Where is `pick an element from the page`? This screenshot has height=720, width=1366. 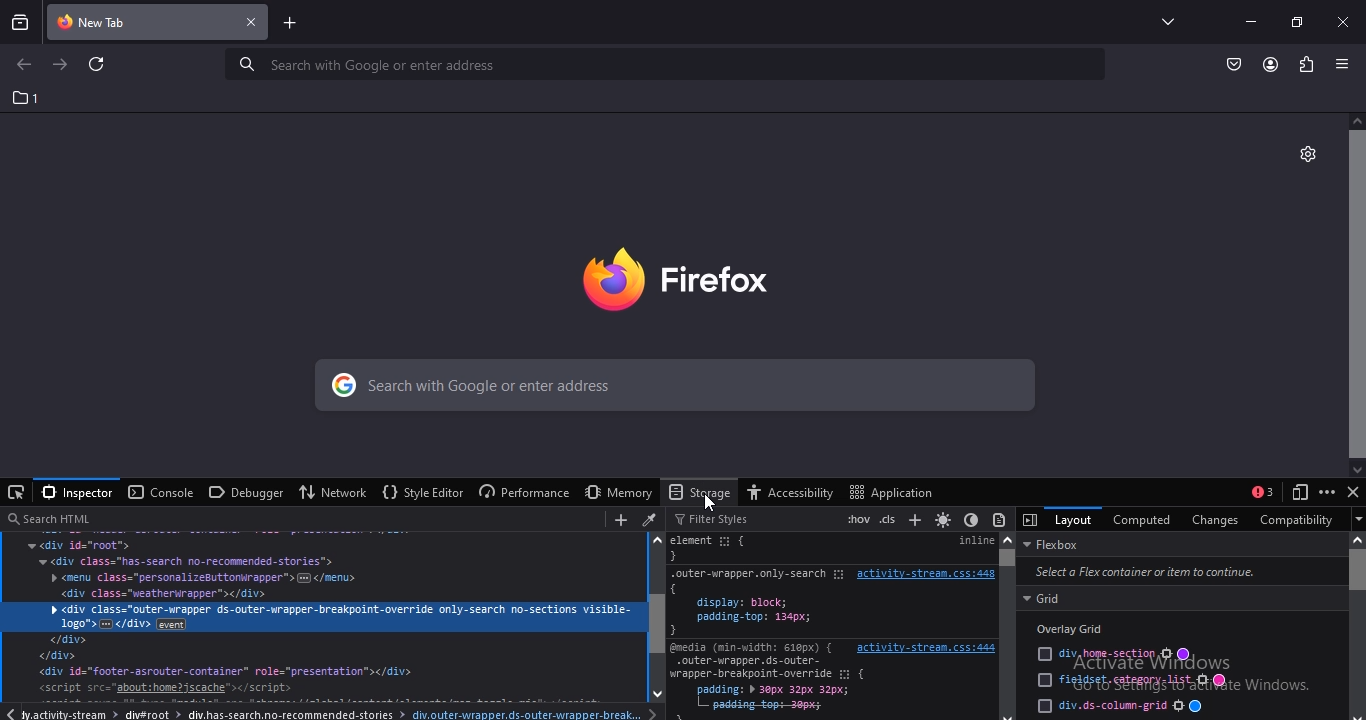
pick an element from the page is located at coordinates (16, 493).